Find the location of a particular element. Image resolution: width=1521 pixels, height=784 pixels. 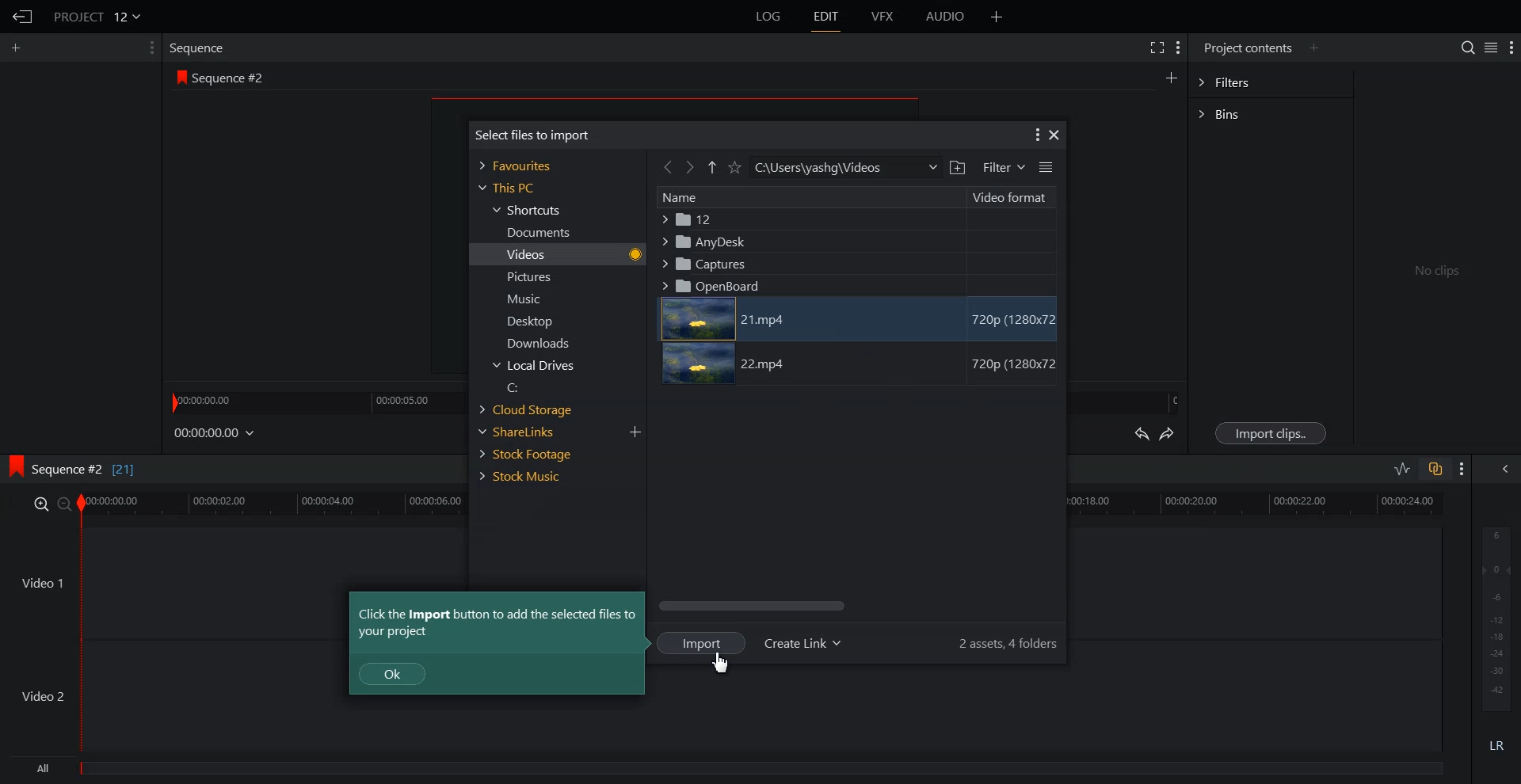

No clips is located at coordinates (1431, 267).